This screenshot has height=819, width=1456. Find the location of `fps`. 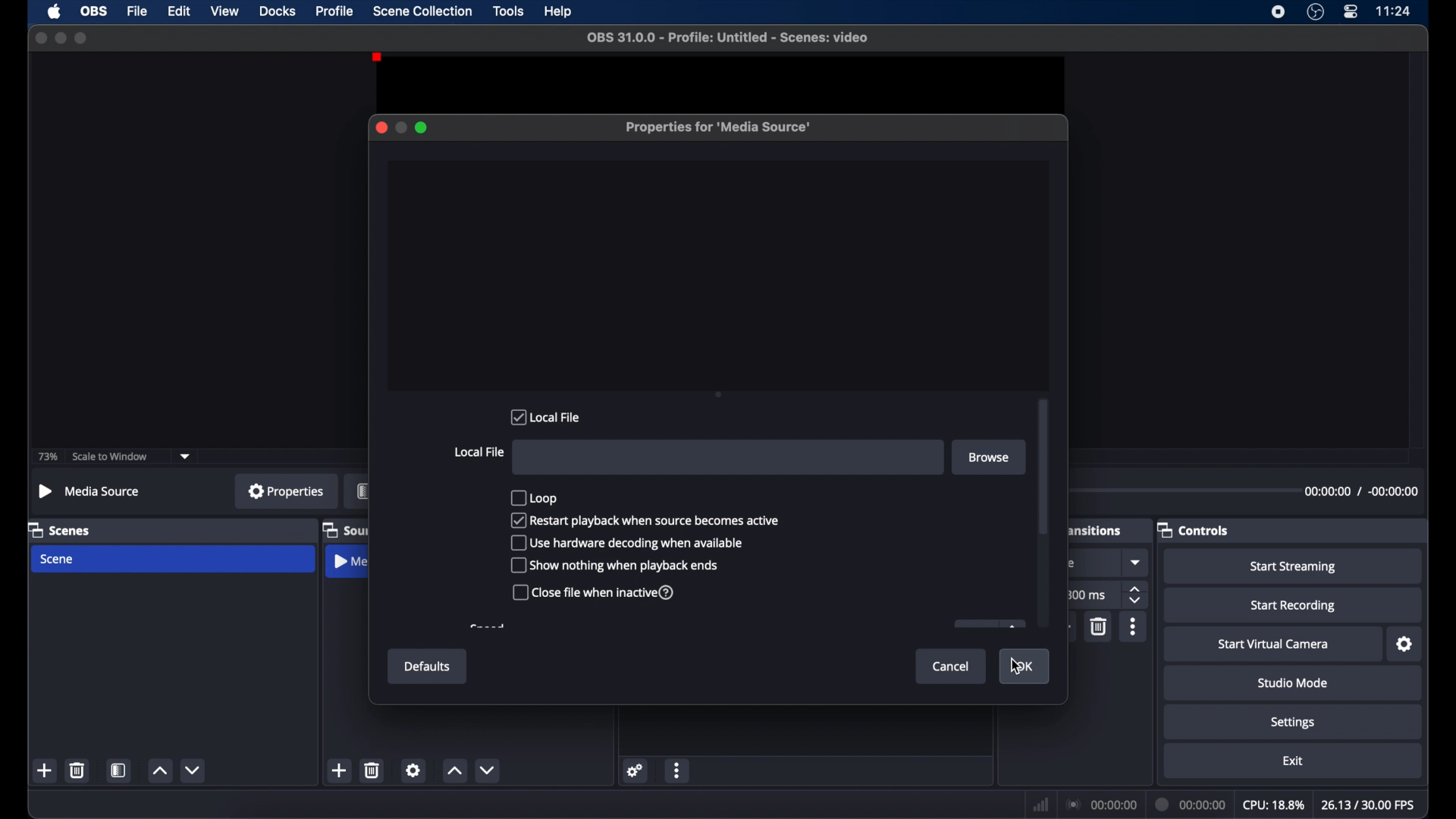

fps is located at coordinates (1368, 805).